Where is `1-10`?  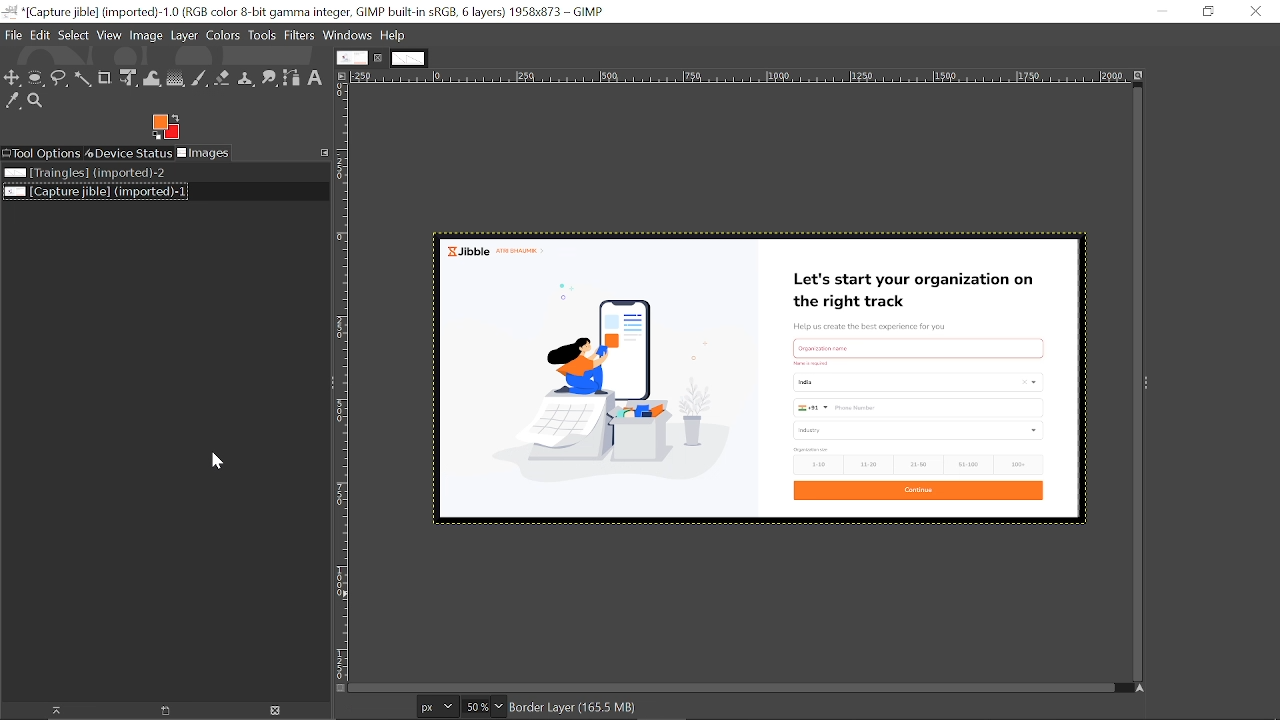
1-10 is located at coordinates (815, 464).